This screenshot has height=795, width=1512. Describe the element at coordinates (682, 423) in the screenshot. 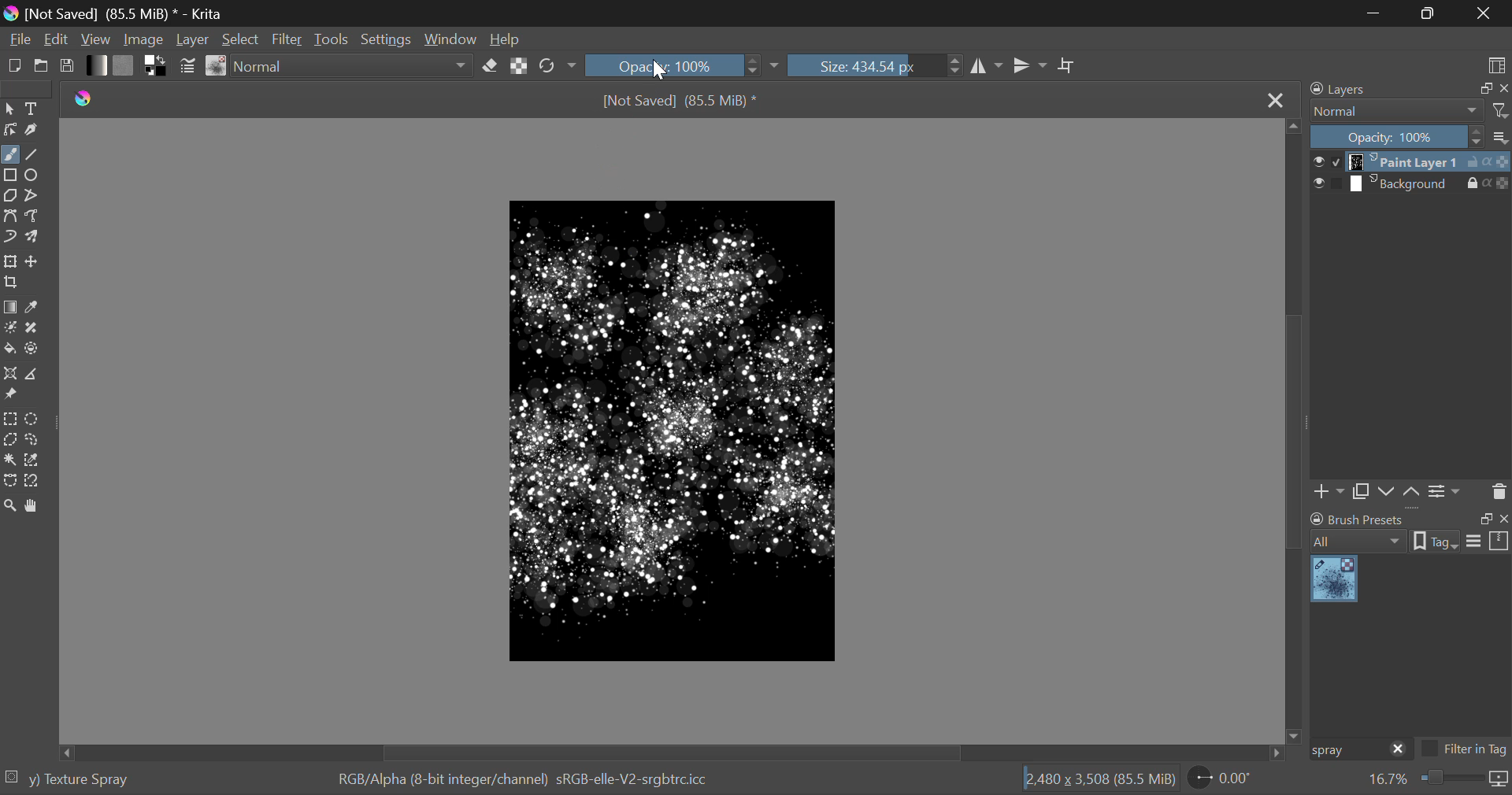

I see `Starry Effect Created with Spray Brush Tool` at that location.